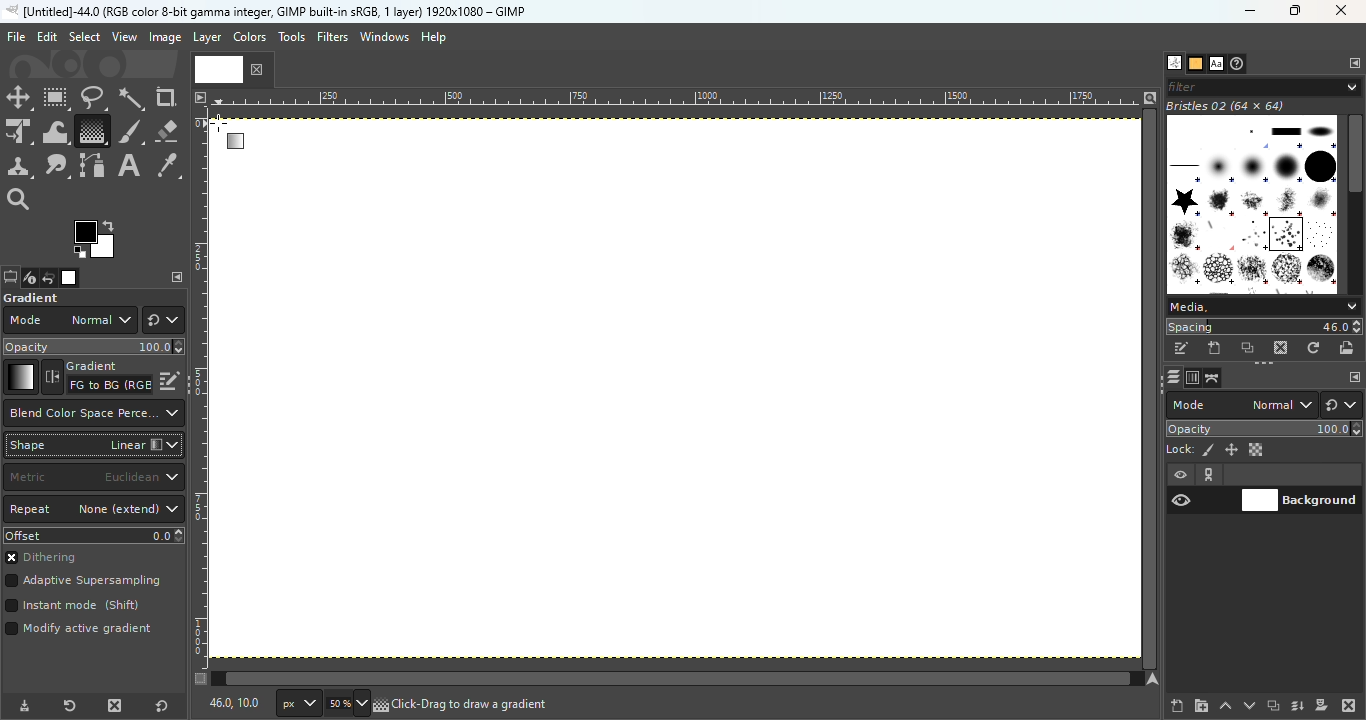 This screenshot has width=1366, height=720. Describe the element at coordinates (477, 705) in the screenshot. I see `click drag to draw a gradient` at that location.